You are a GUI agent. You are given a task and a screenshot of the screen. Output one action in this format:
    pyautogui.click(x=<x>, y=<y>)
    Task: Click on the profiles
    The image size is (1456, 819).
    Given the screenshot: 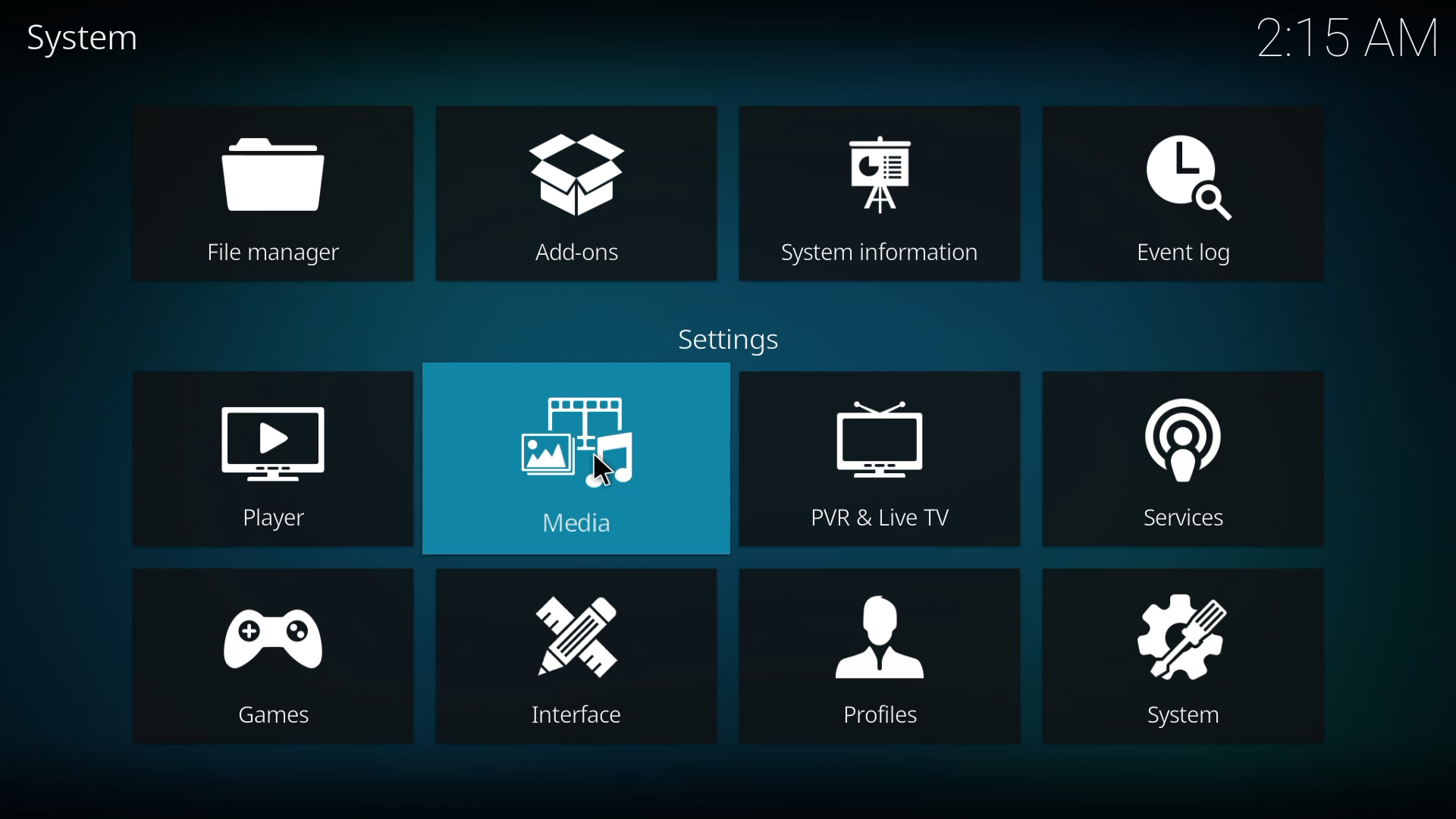 What is the action you would take?
    pyautogui.click(x=881, y=658)
    